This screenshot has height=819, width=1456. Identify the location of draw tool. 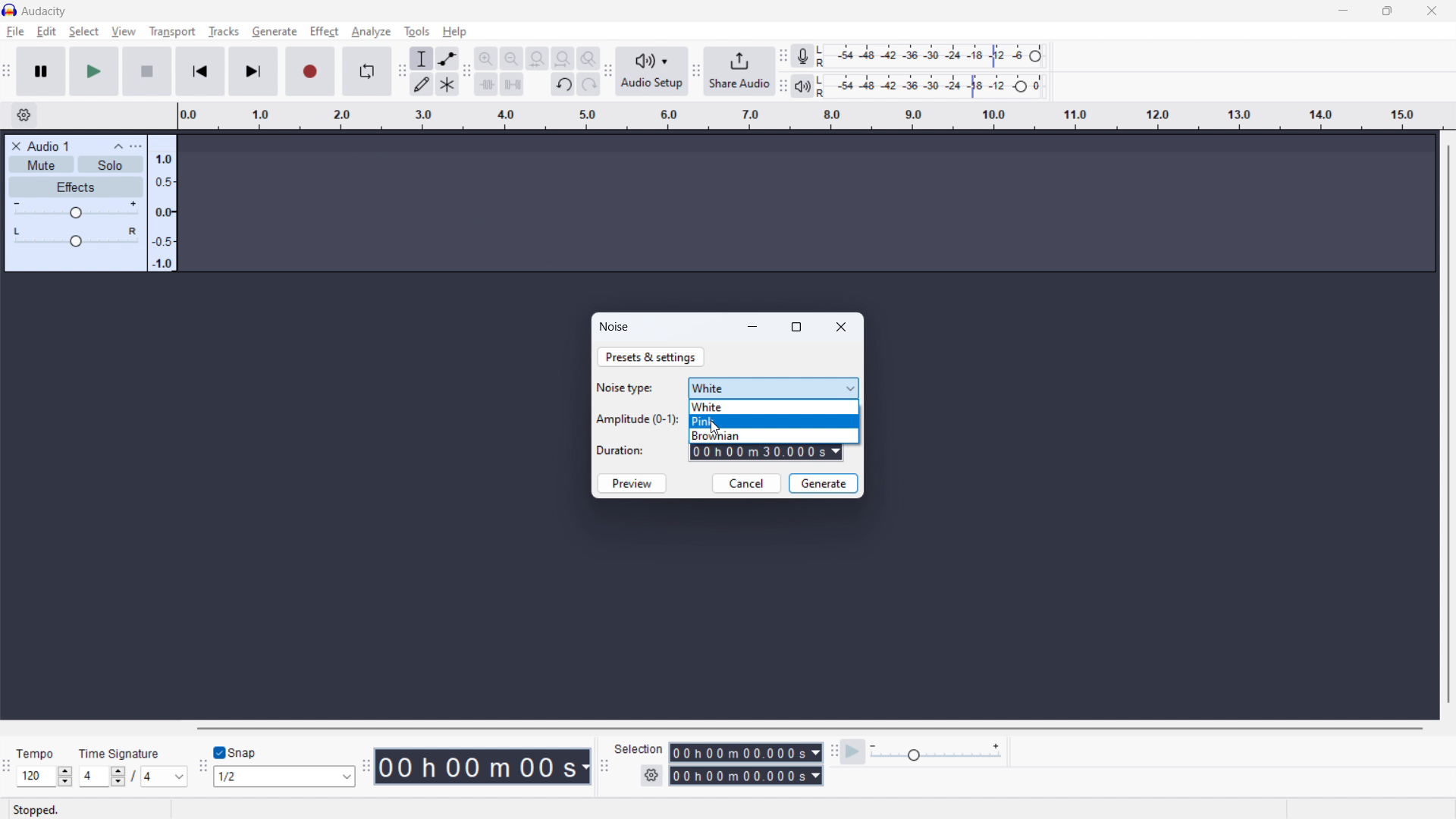
(422, 83).